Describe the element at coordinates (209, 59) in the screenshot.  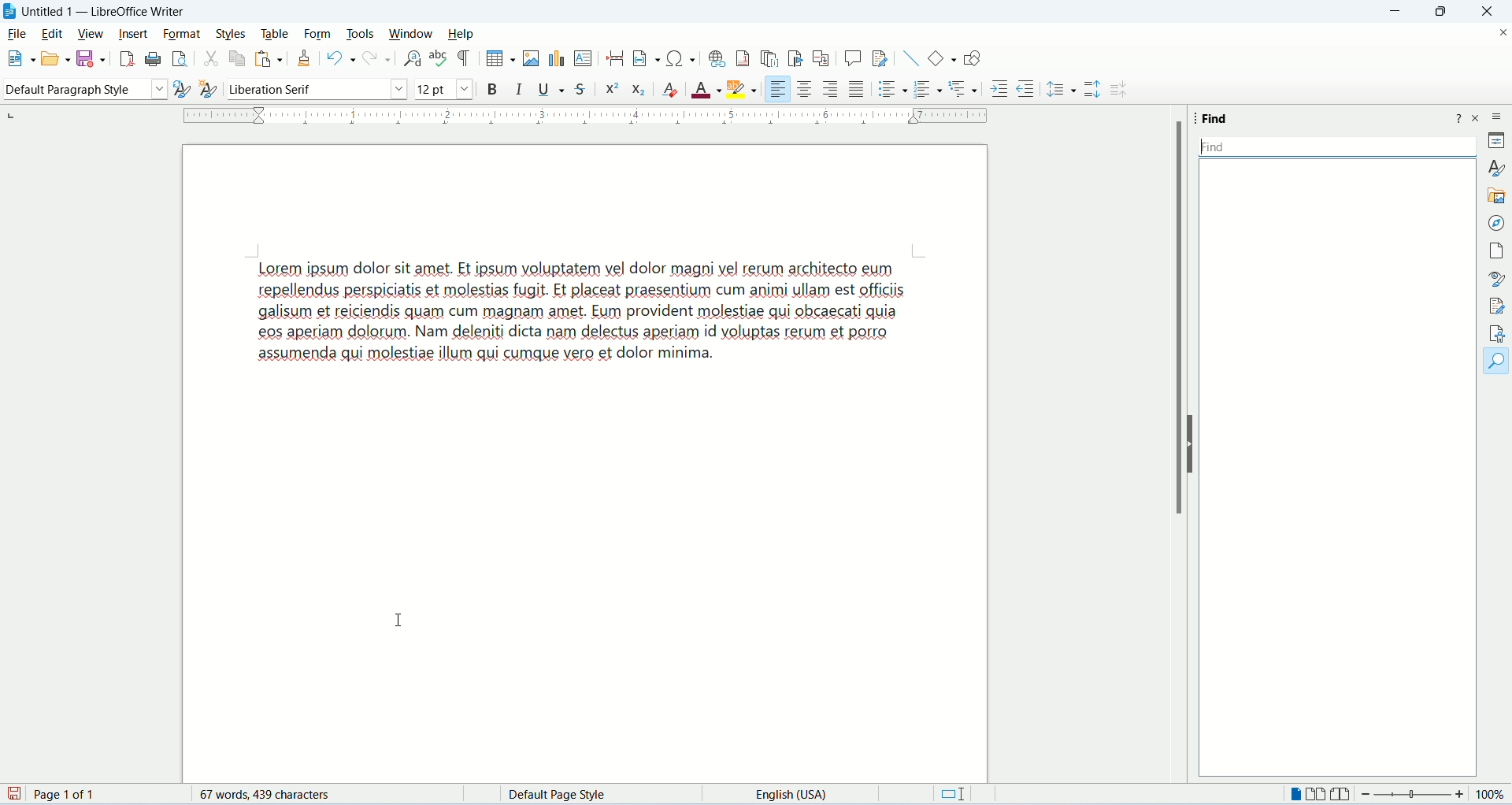
I see `cut` at that location.